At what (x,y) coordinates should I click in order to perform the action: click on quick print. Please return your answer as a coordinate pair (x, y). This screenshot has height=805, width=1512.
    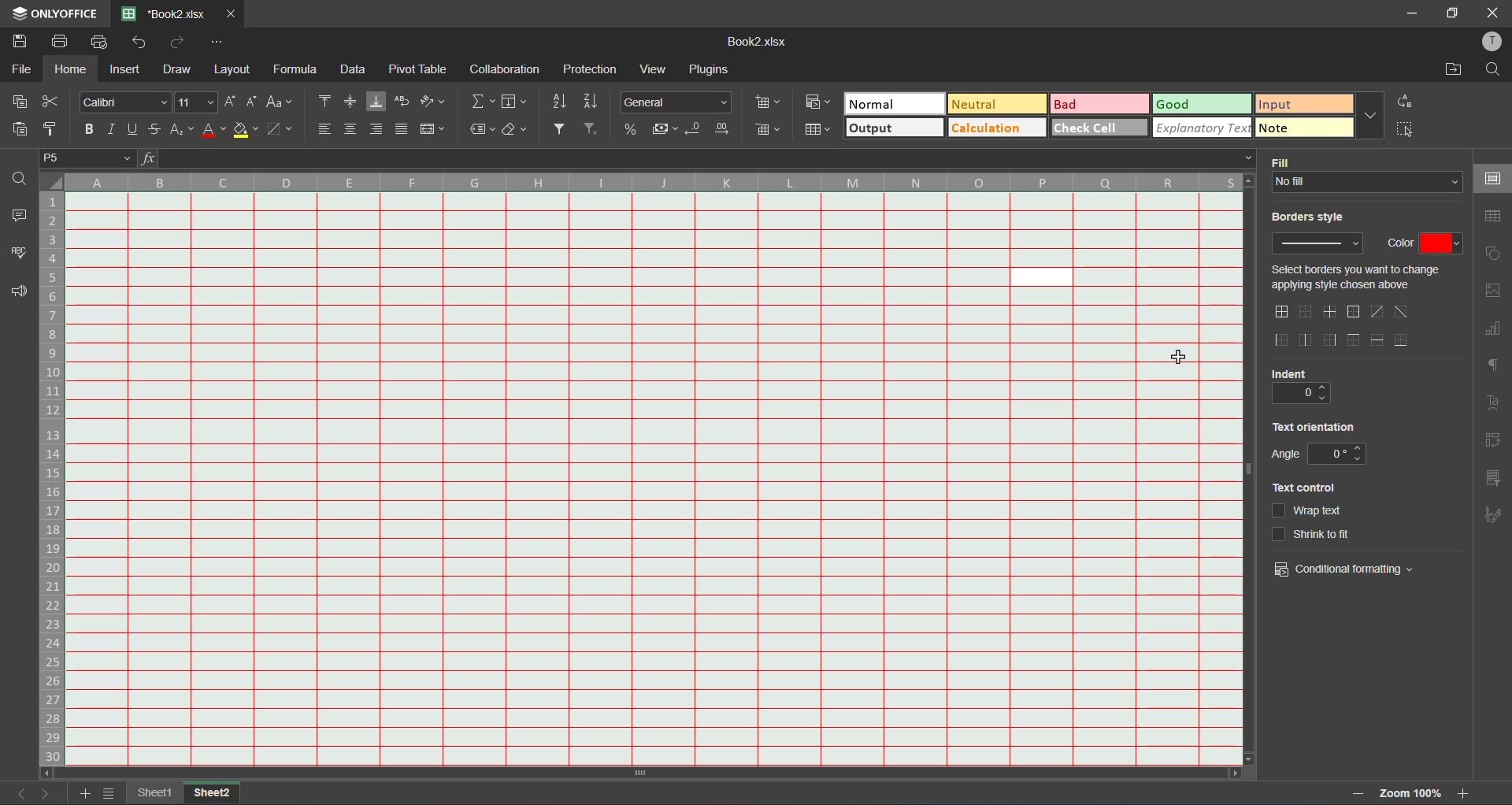
    Looking at the image, I should click on (98, 43).